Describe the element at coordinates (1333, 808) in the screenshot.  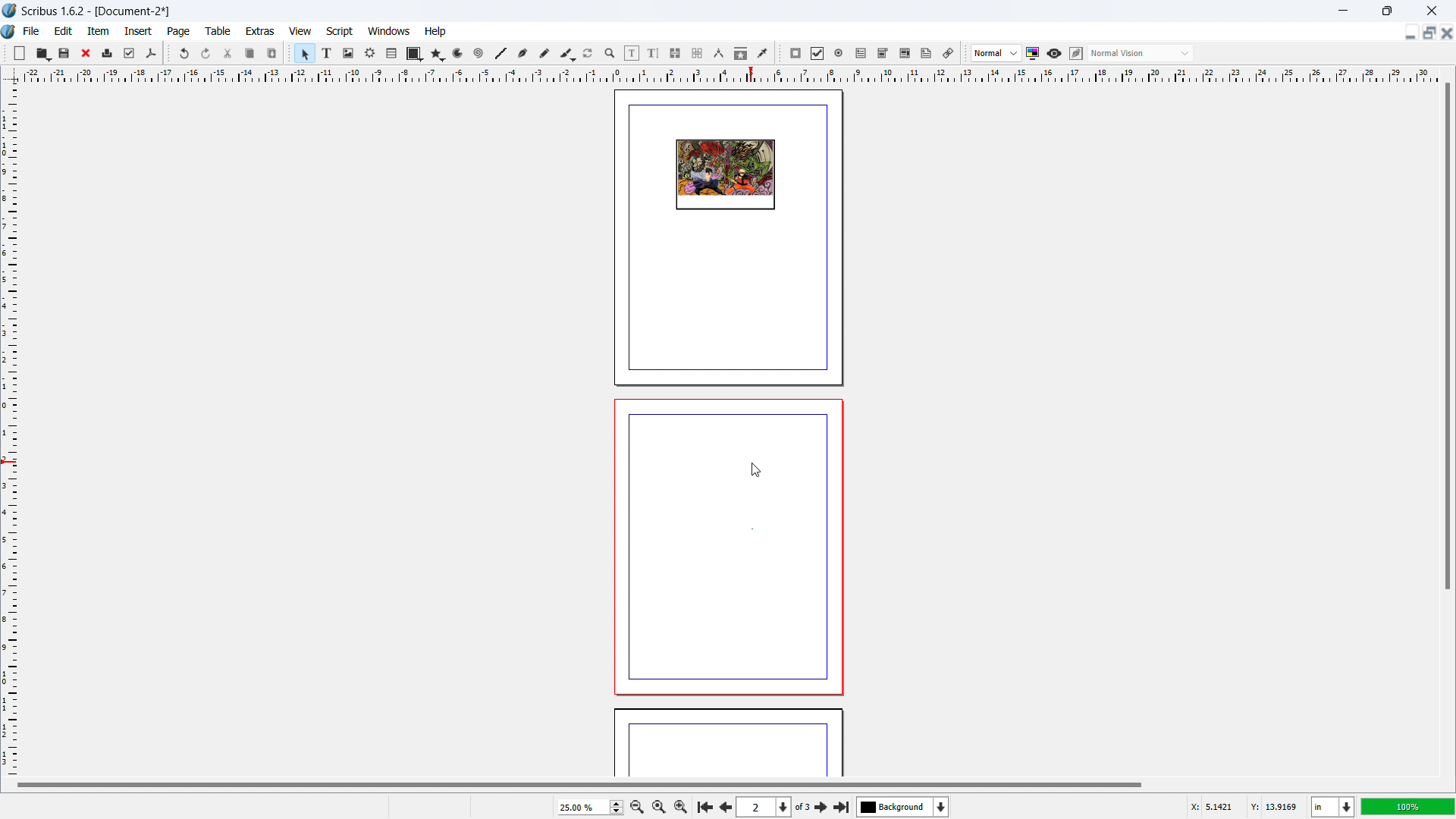
I see `unit of measurement` at that location.